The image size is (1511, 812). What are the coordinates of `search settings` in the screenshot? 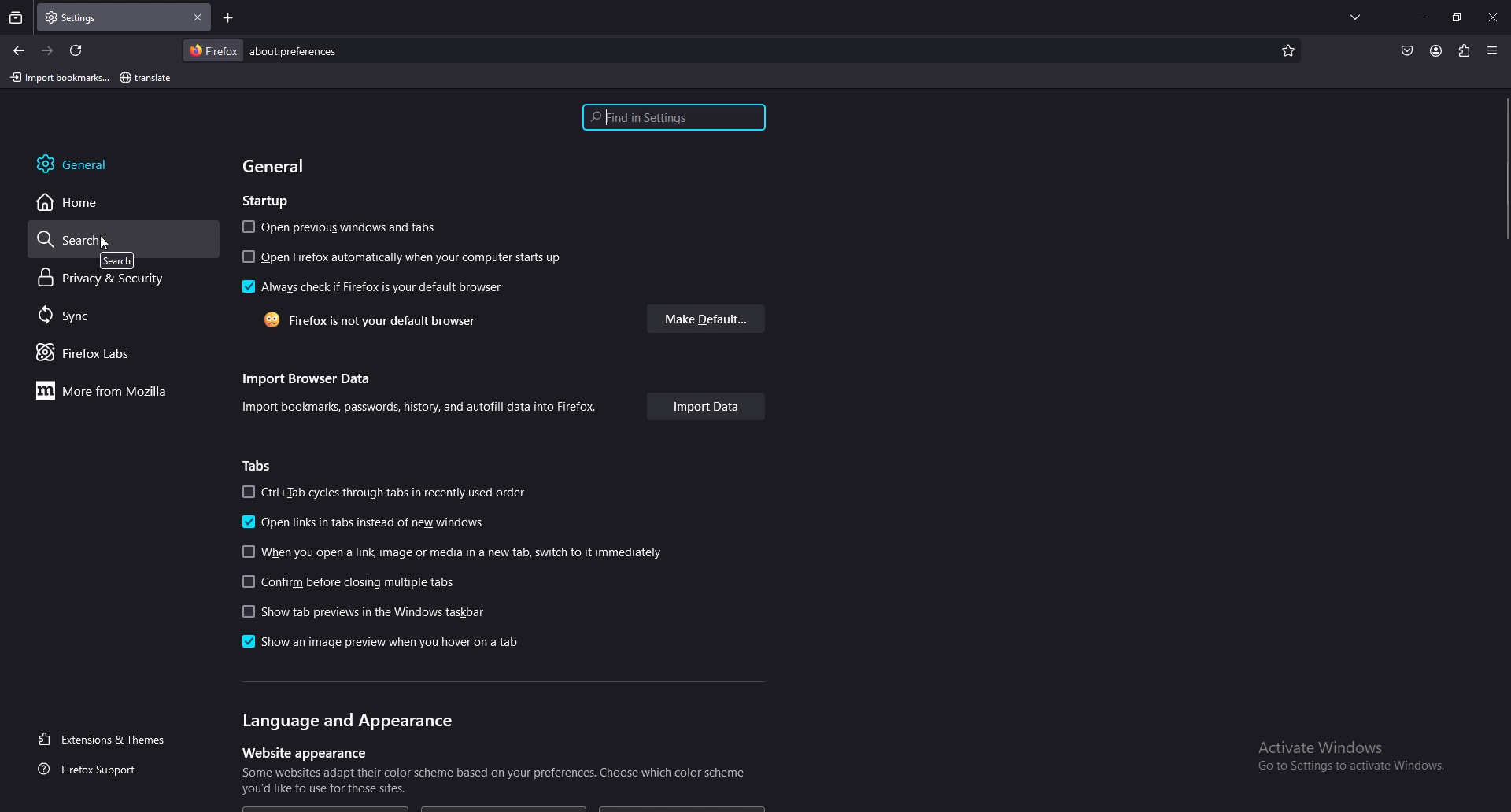 It's located at (674, 118).